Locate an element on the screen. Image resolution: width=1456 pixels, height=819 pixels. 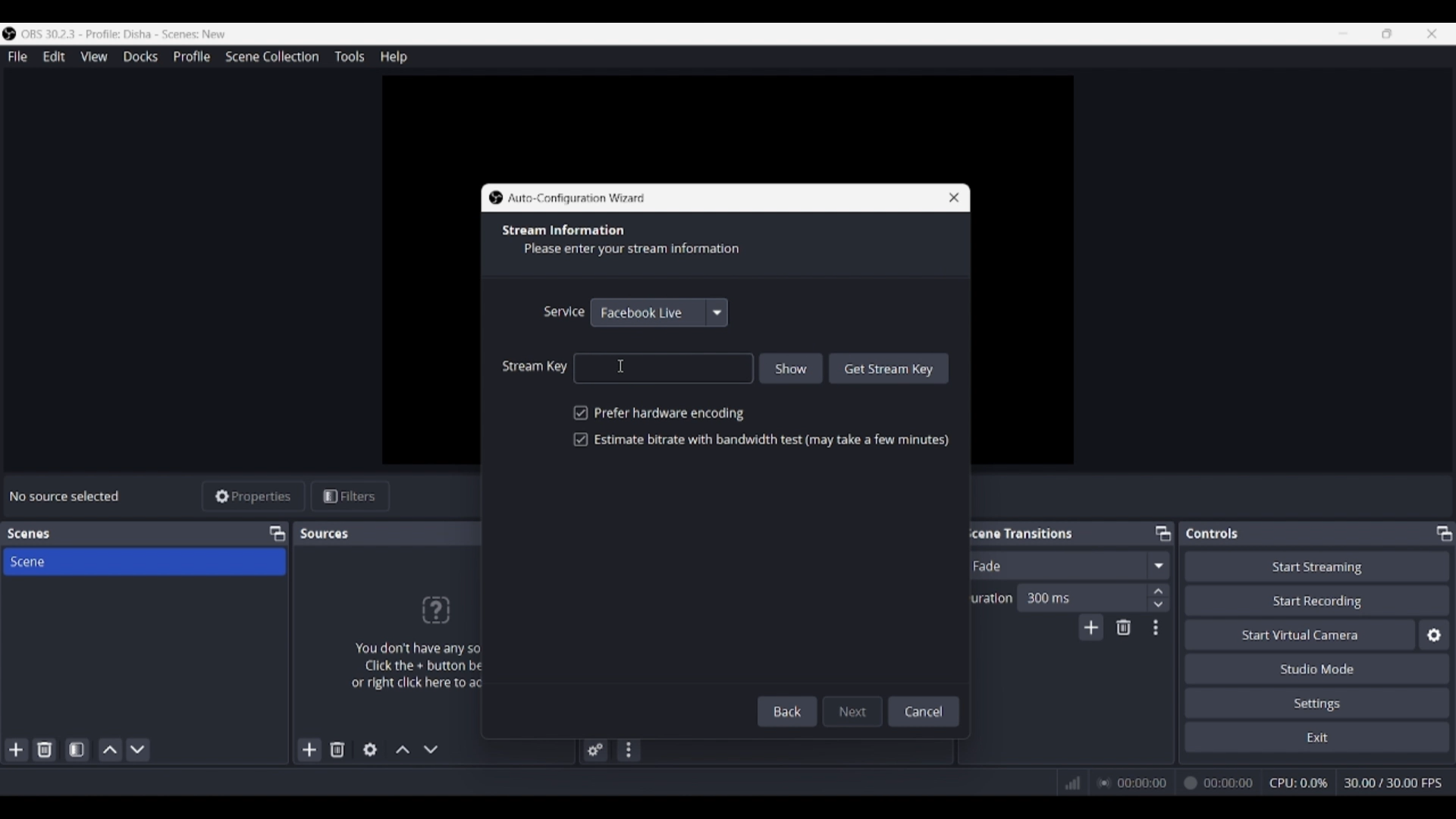
Move scene up is located at coordinates (111, 750).